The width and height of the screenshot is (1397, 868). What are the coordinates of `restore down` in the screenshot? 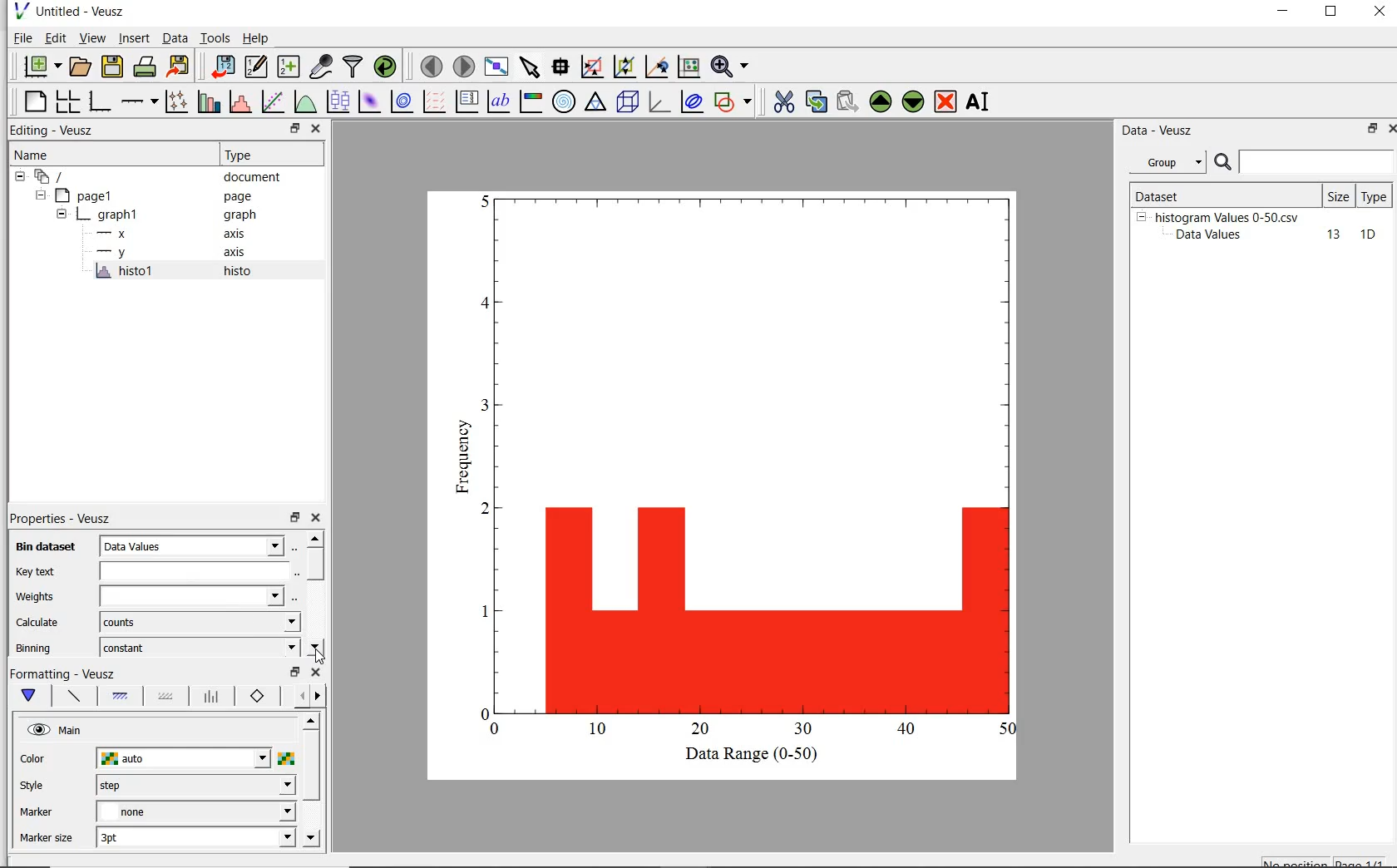 It's located at (294, 673).